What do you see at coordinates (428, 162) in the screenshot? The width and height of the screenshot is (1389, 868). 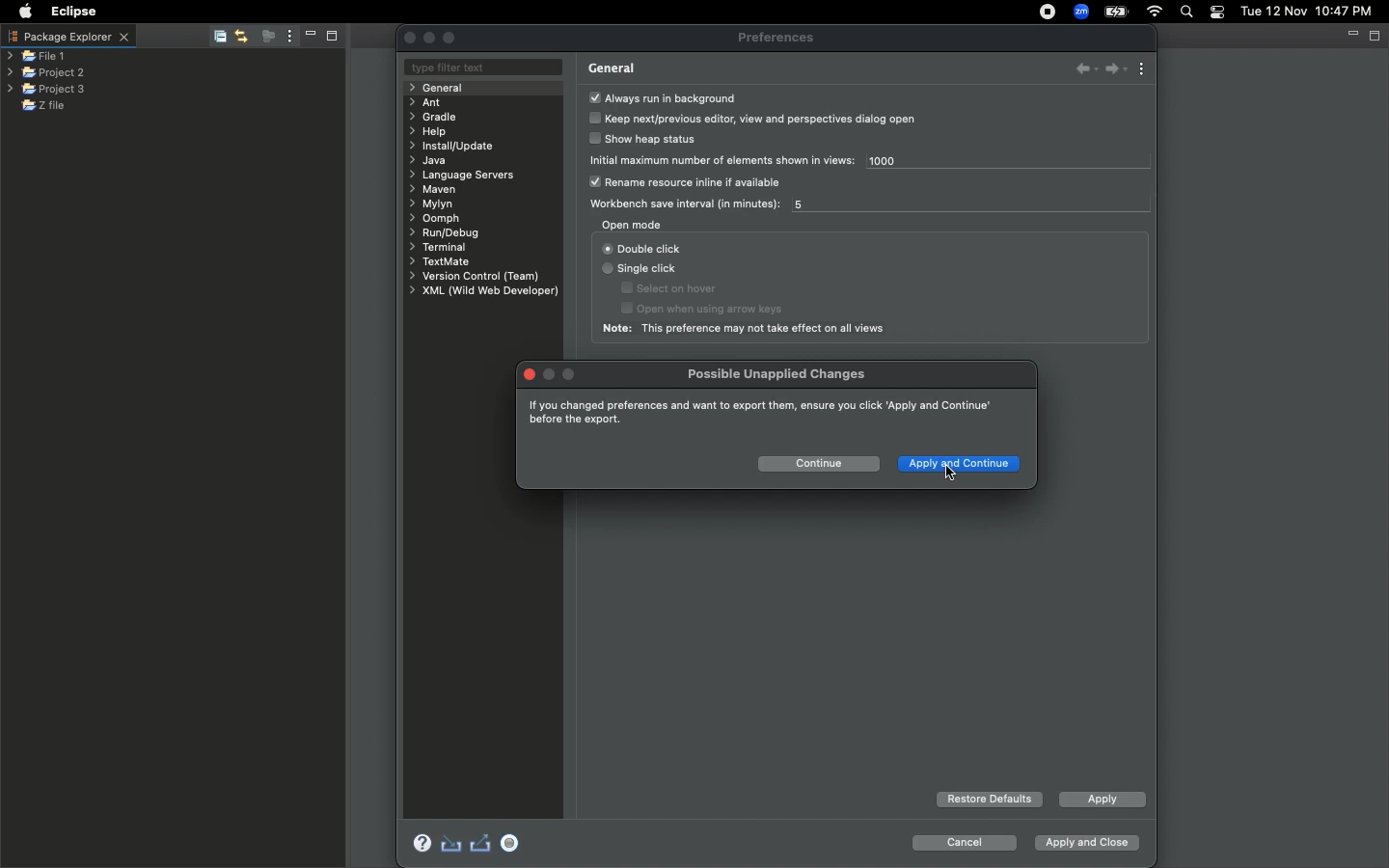 I see `Java` at bounding box center [428, 162].